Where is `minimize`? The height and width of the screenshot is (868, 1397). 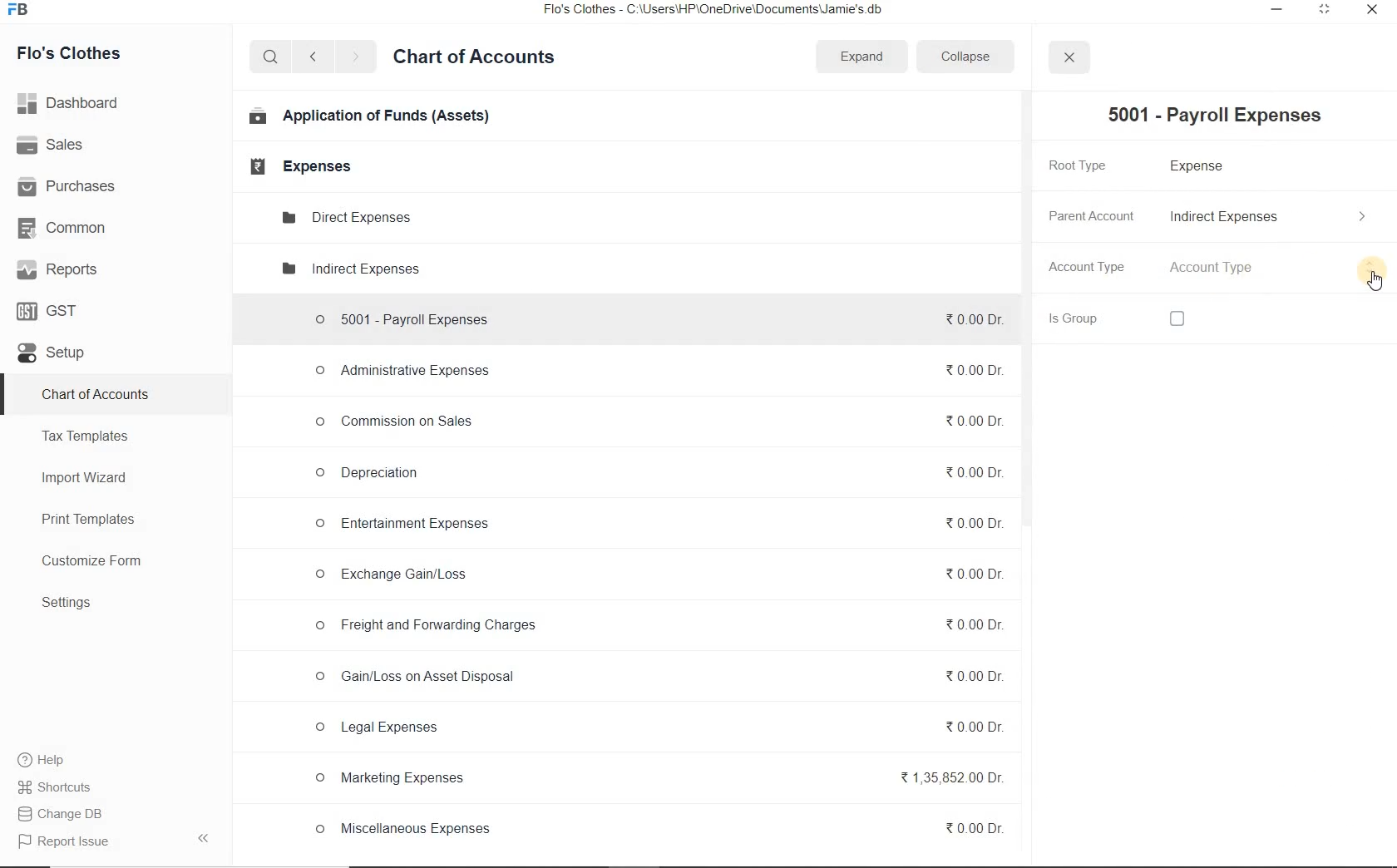
minimize is located at coordinates (1277, 11).